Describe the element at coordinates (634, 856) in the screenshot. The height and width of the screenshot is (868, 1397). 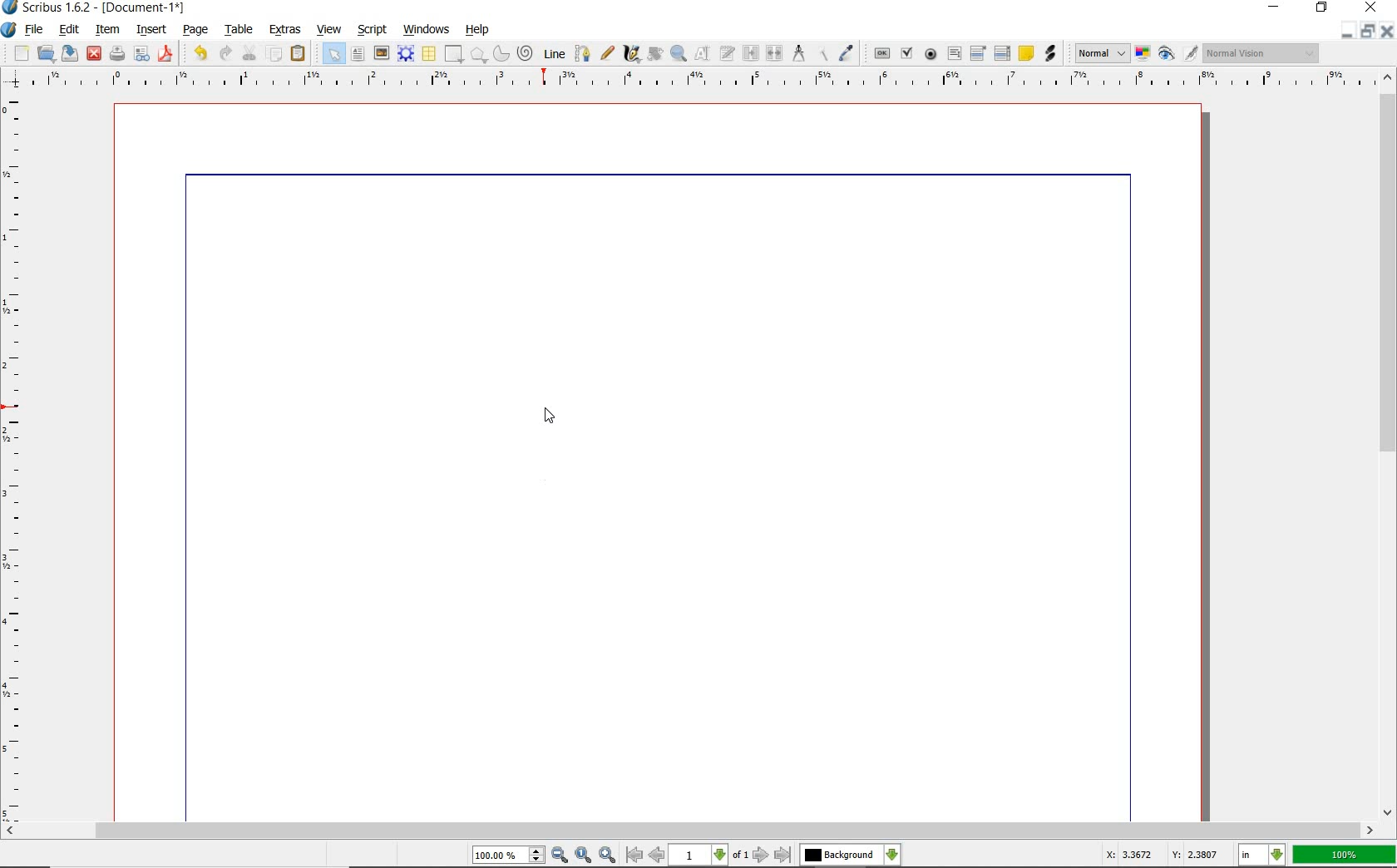
I see `First Page` at that location.